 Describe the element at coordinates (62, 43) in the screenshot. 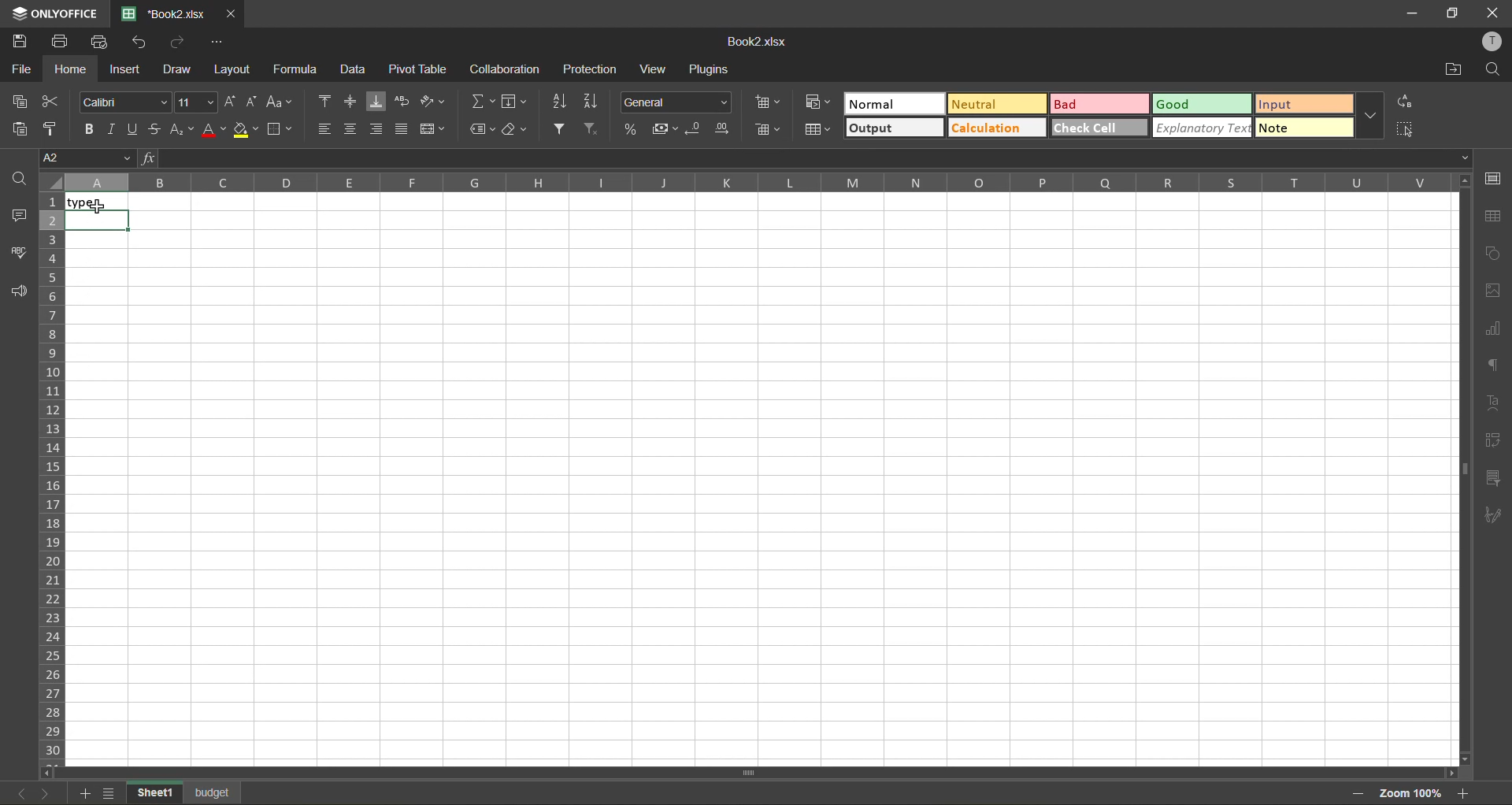

I see `print` at that location.